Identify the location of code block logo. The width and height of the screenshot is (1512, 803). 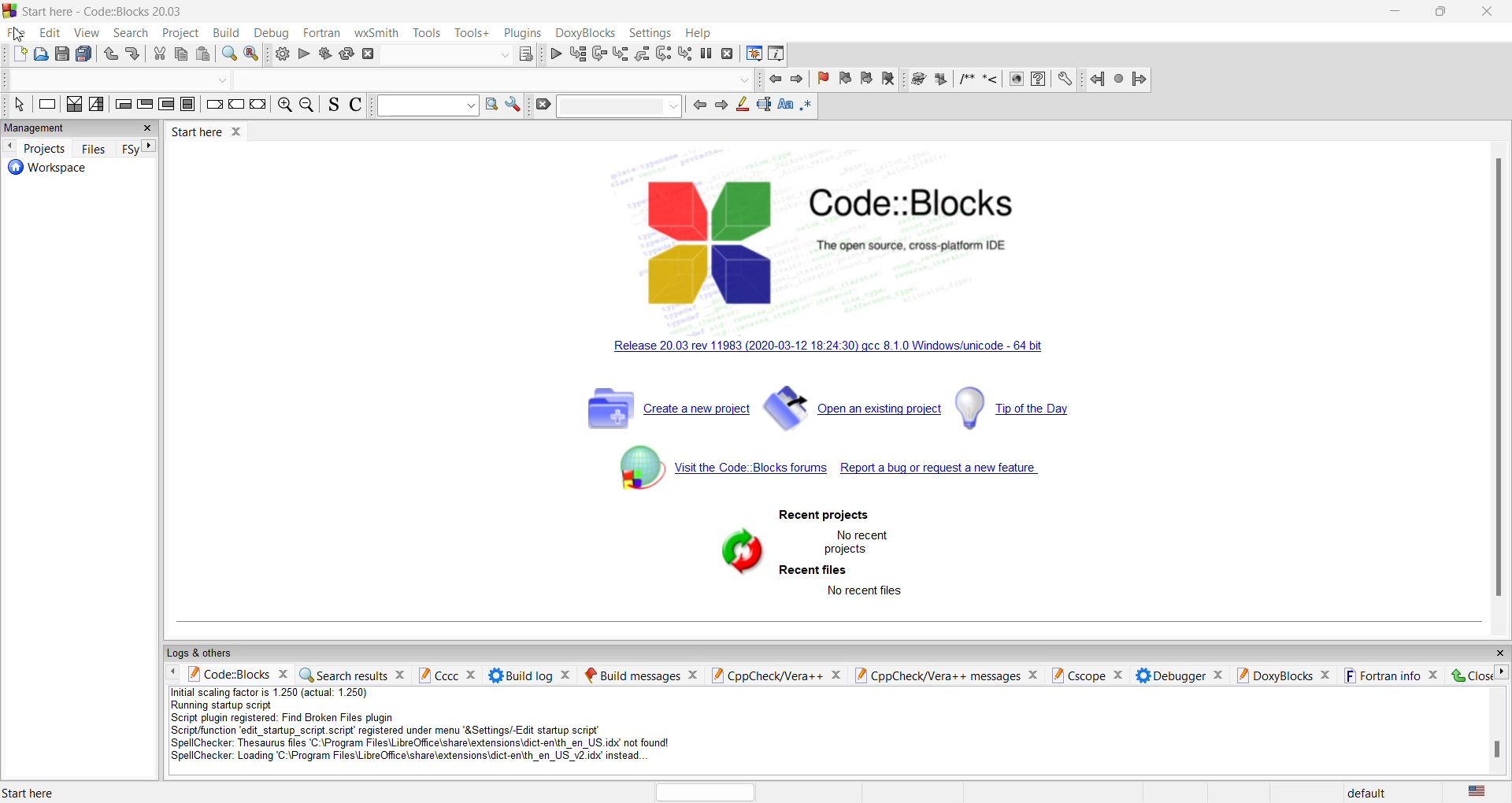
(857, 233).